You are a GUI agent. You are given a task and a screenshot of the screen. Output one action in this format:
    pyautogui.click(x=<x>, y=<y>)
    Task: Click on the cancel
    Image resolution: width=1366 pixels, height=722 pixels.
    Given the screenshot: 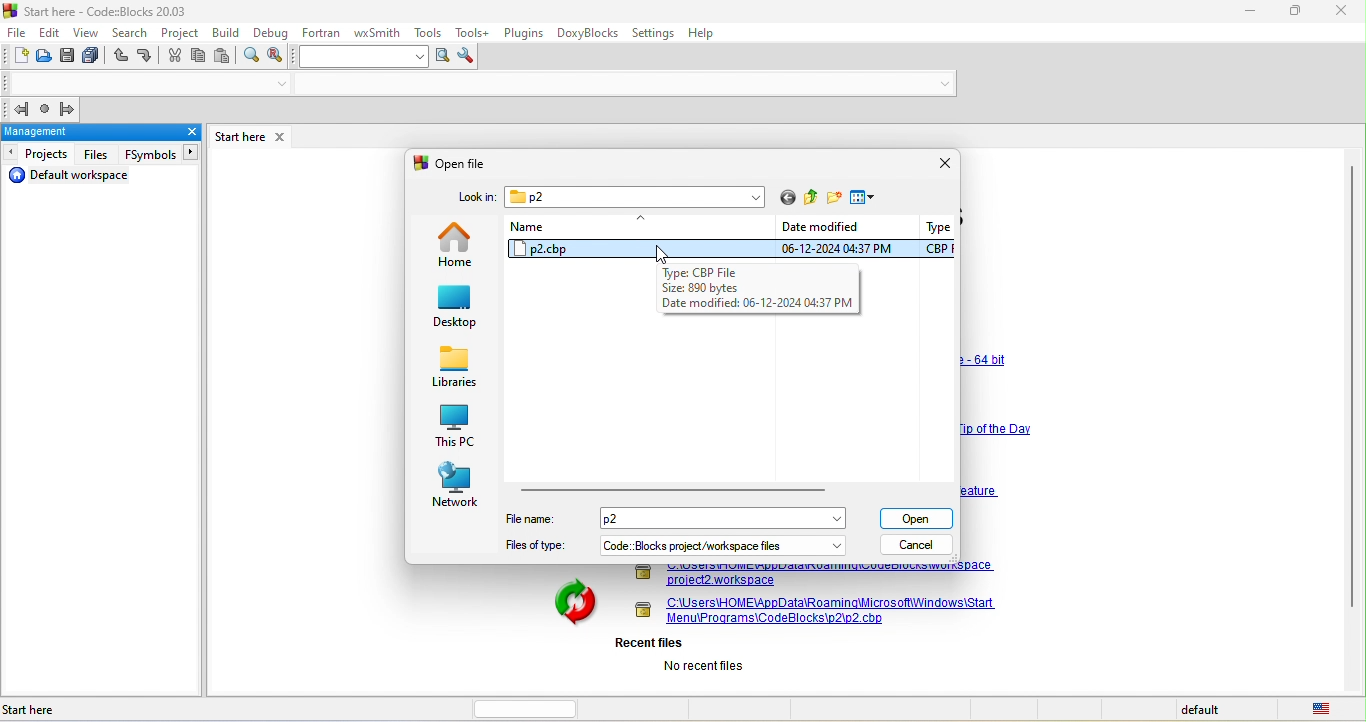 What is the action you would take?
    pyautogui.click(x=914, y=546)
    